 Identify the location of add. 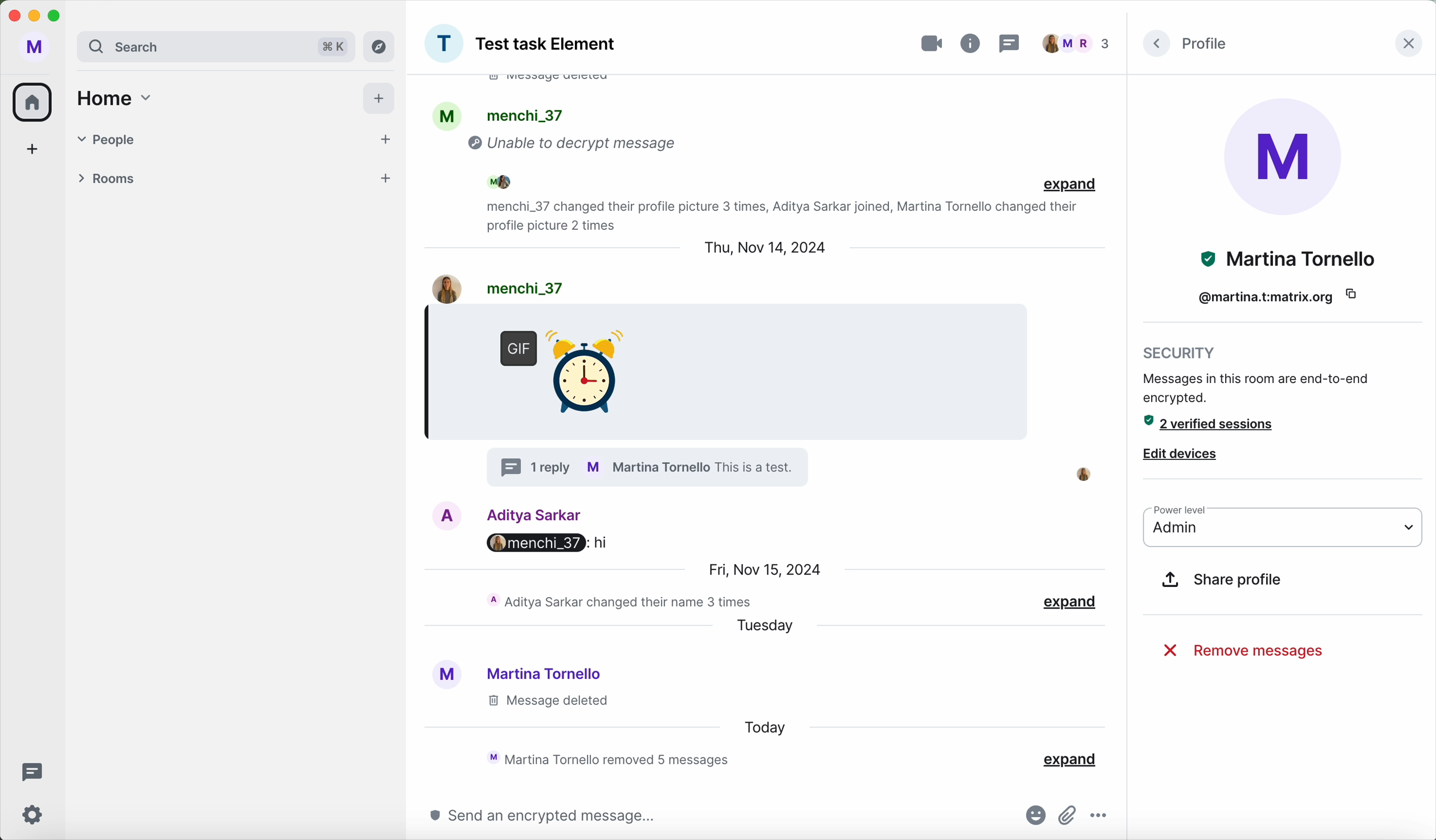
(32, 148).